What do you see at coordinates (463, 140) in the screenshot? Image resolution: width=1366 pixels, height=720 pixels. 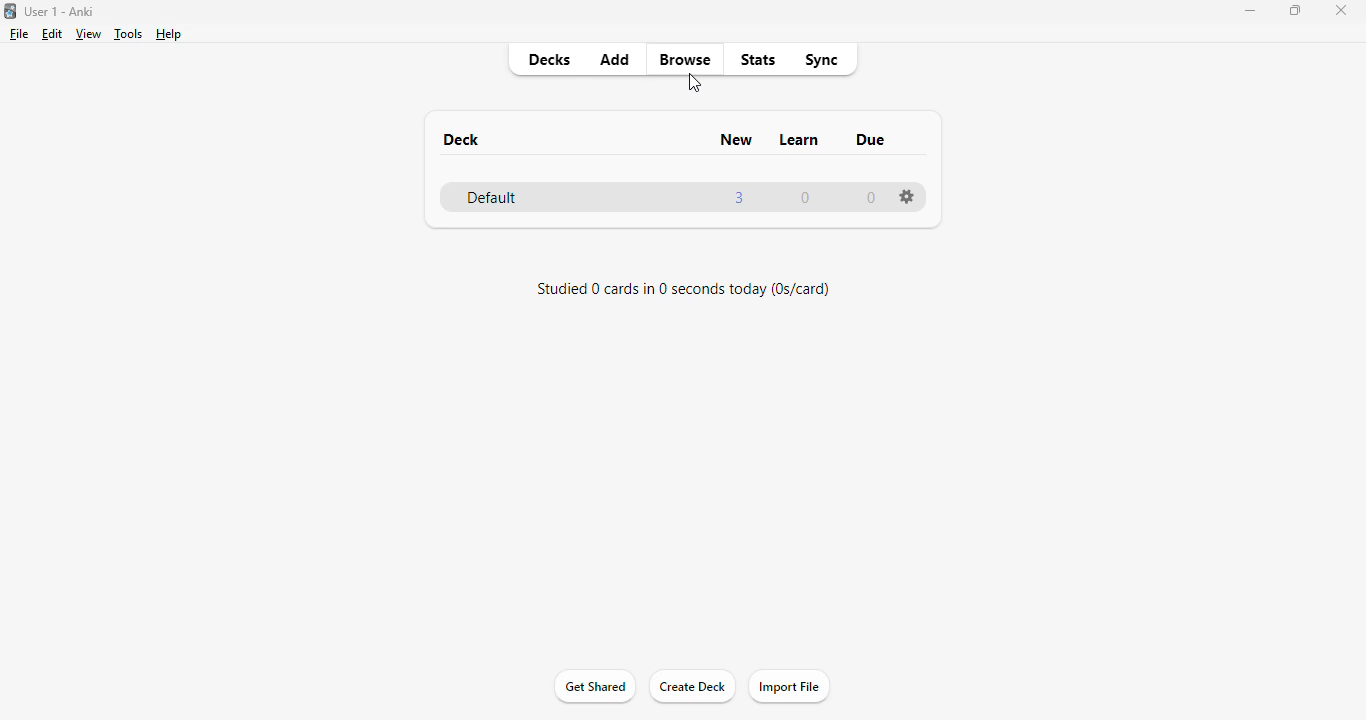 I see `deck` at bounding box center [463, 140].